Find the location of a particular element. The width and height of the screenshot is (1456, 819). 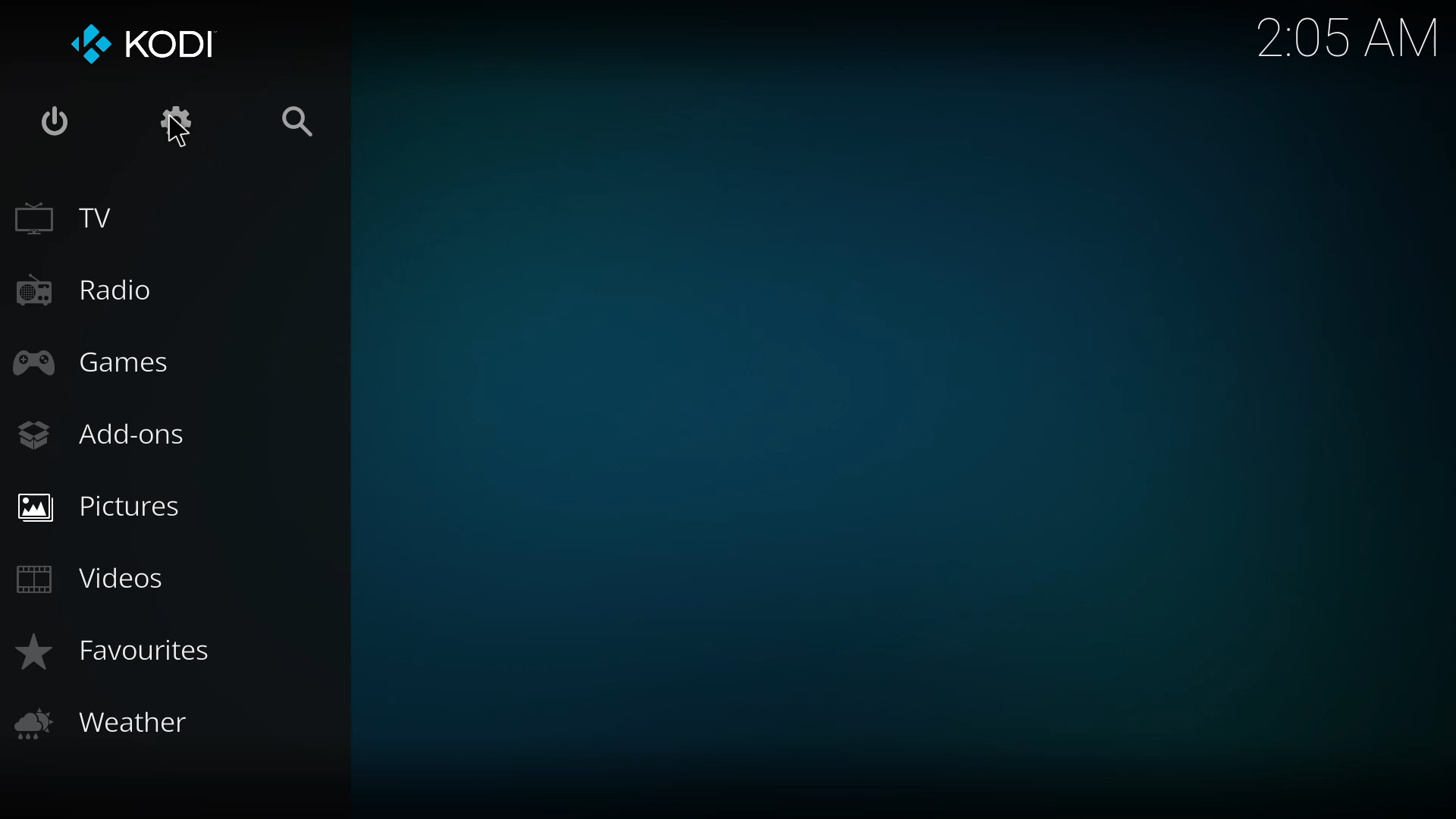

kodi is located at coordinates (143, 45).